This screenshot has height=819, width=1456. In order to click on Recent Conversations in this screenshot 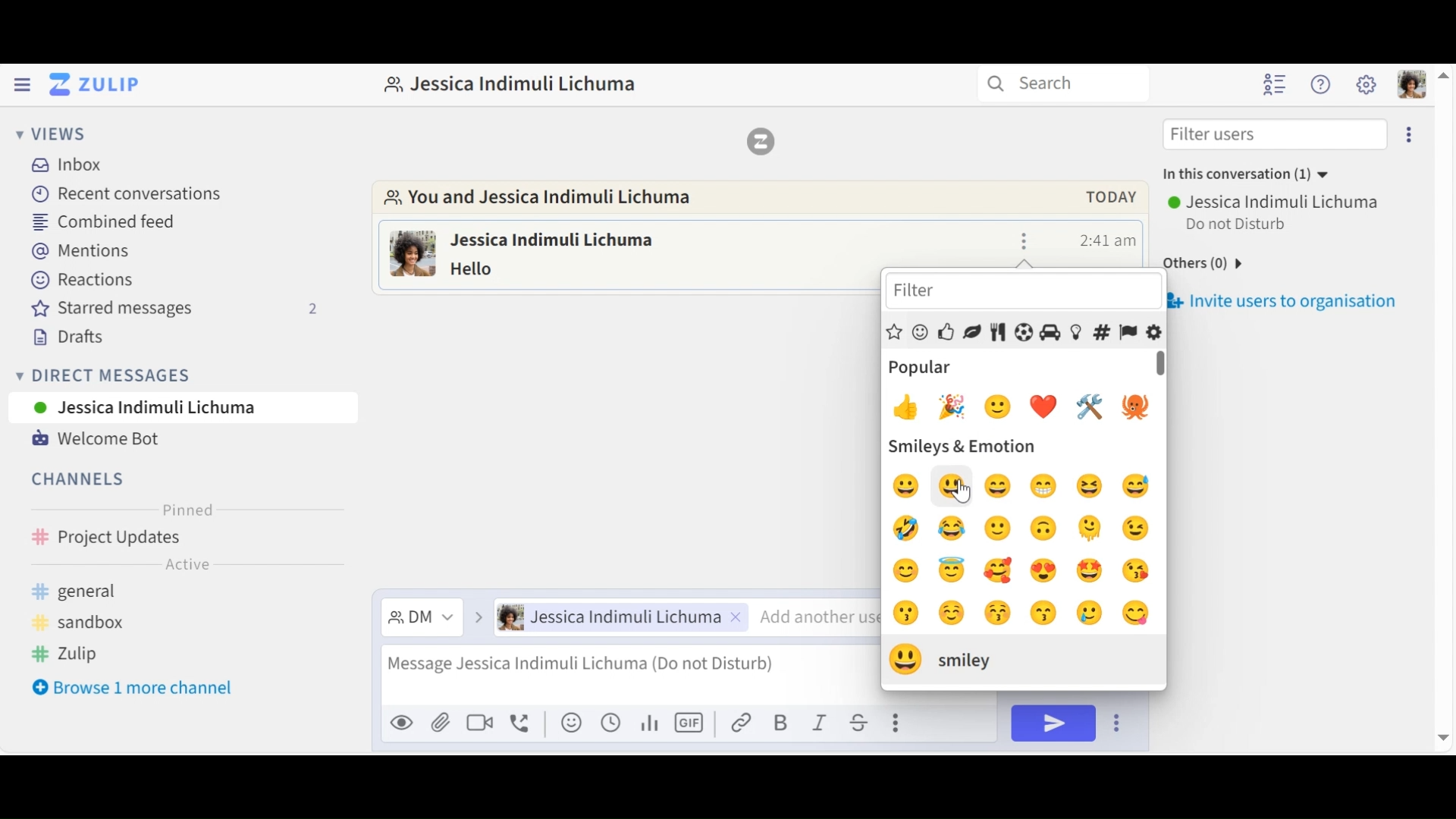, I will do `click(128, 193)`.